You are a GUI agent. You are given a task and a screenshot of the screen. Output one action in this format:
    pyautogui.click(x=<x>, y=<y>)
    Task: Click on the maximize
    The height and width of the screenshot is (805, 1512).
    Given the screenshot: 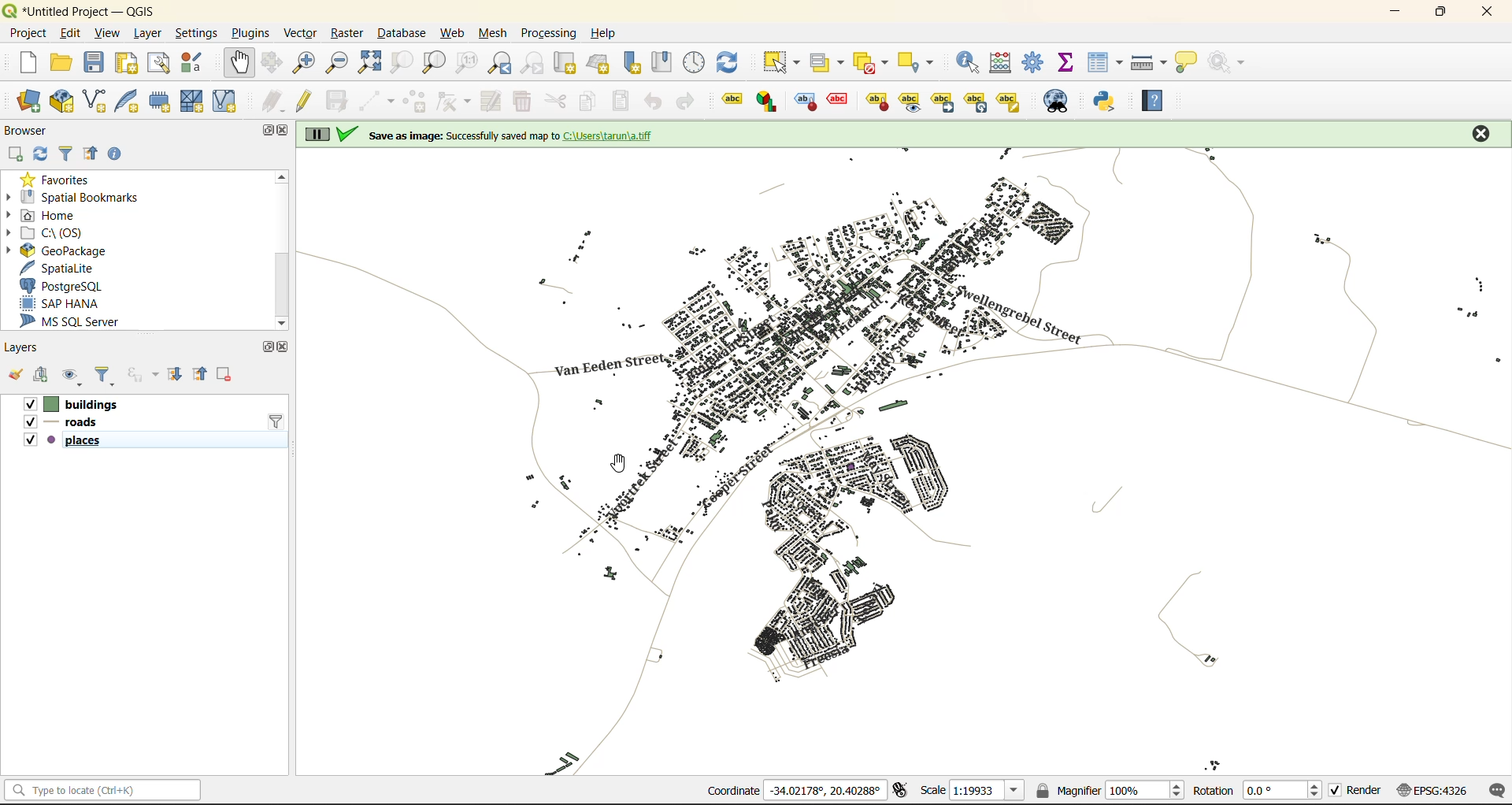 What is the action you would take?
    pyautogui.click(x=265, y=130)
    